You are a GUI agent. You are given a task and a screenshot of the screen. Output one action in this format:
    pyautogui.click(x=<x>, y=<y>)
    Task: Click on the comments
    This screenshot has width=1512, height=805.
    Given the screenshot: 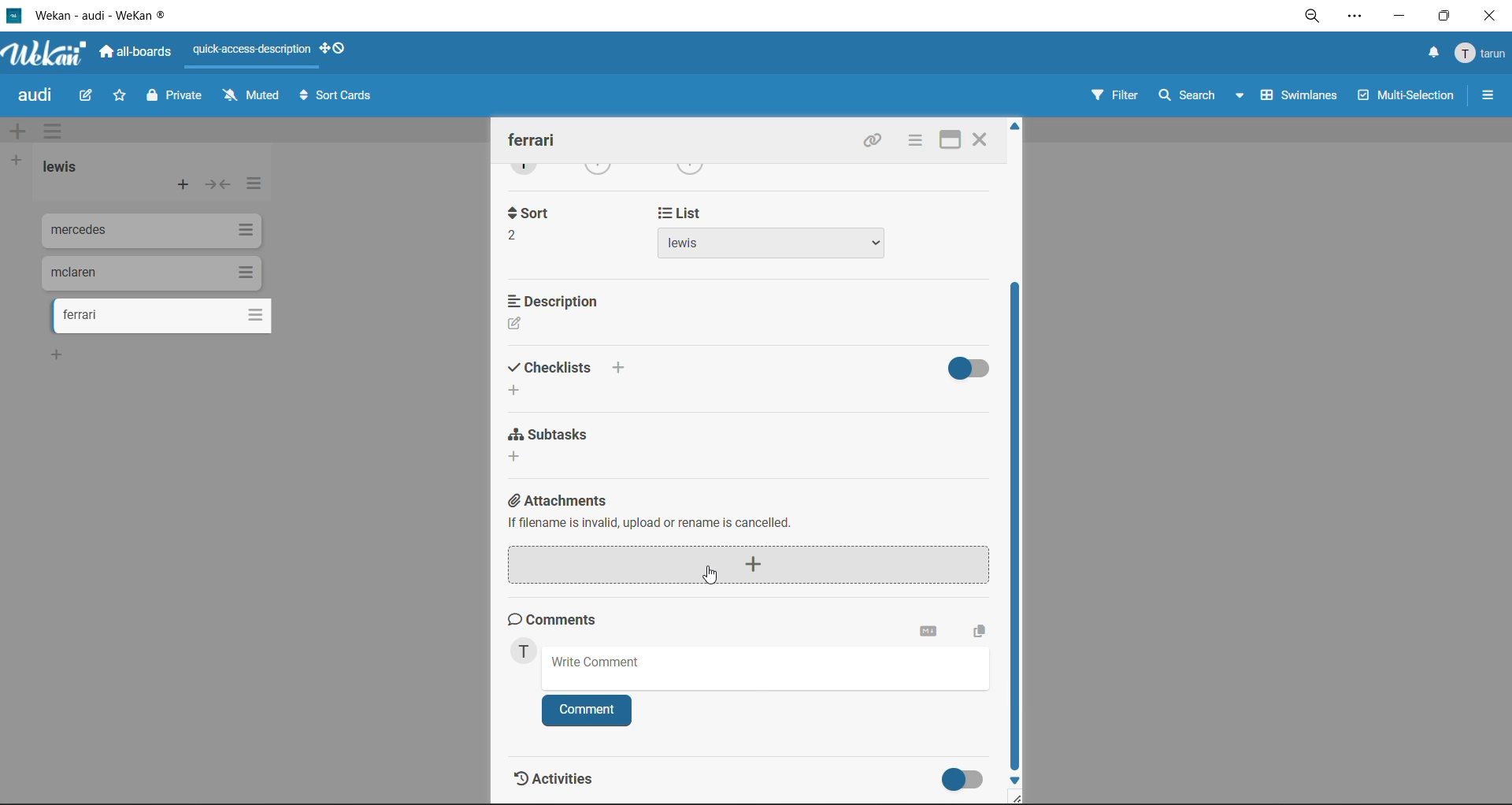 What is the action you would take?
    pyautogui.click(x=563, y=618)
    